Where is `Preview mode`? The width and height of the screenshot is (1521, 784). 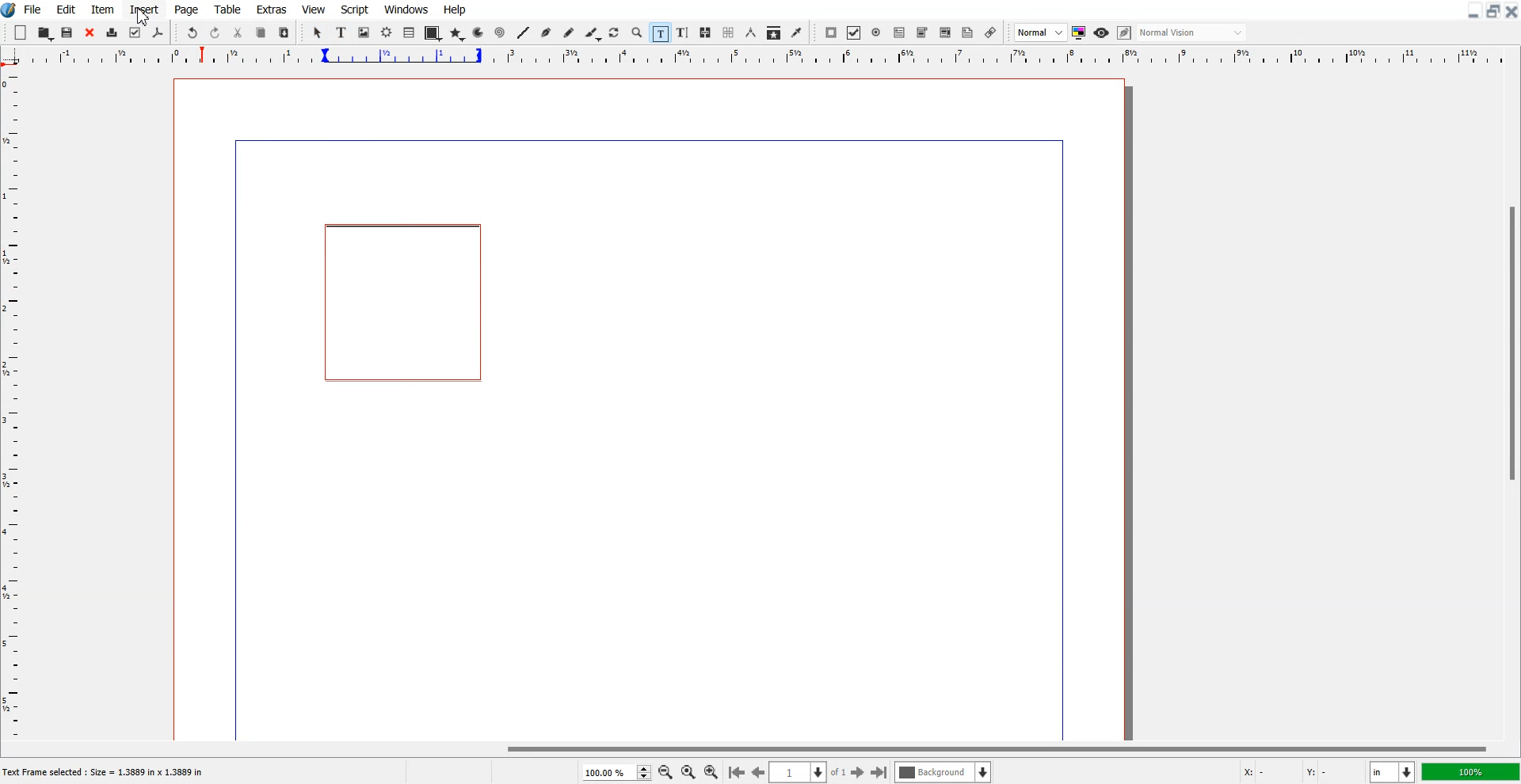 Preview mode is located at coordinates (1102, 32).